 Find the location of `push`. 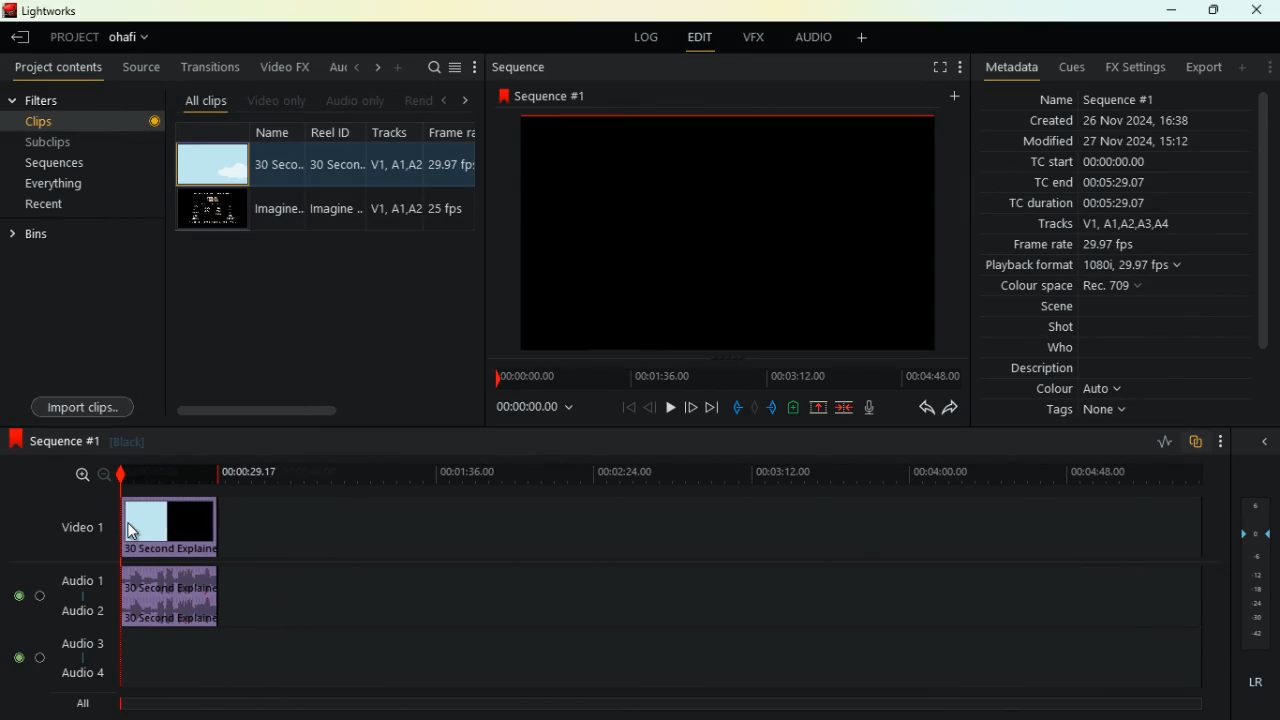

push is located at coordinates (771, 409).